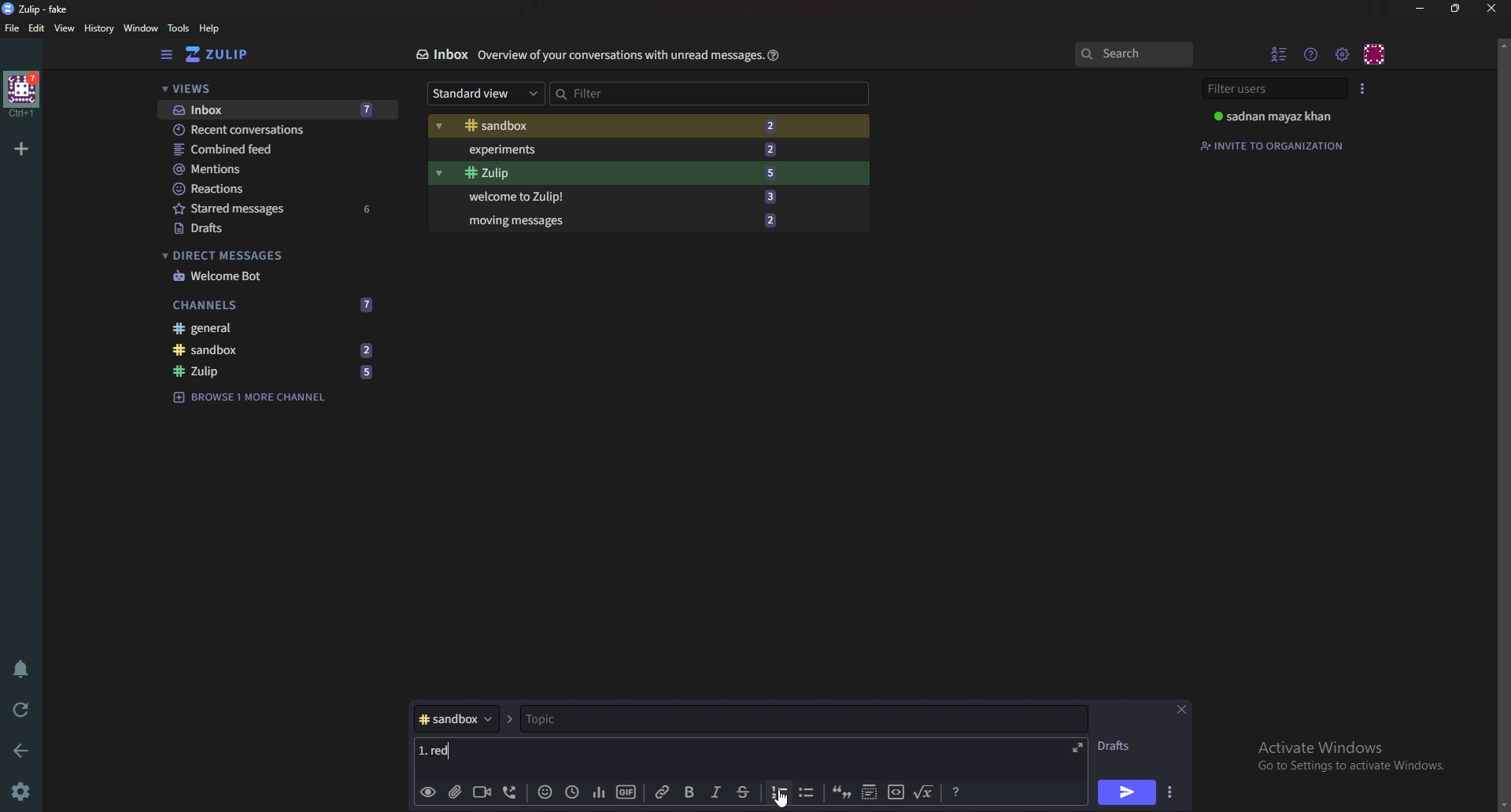  Describe the element at coordinates (24, 708) in the screenshot. I see `Reload` at that location.